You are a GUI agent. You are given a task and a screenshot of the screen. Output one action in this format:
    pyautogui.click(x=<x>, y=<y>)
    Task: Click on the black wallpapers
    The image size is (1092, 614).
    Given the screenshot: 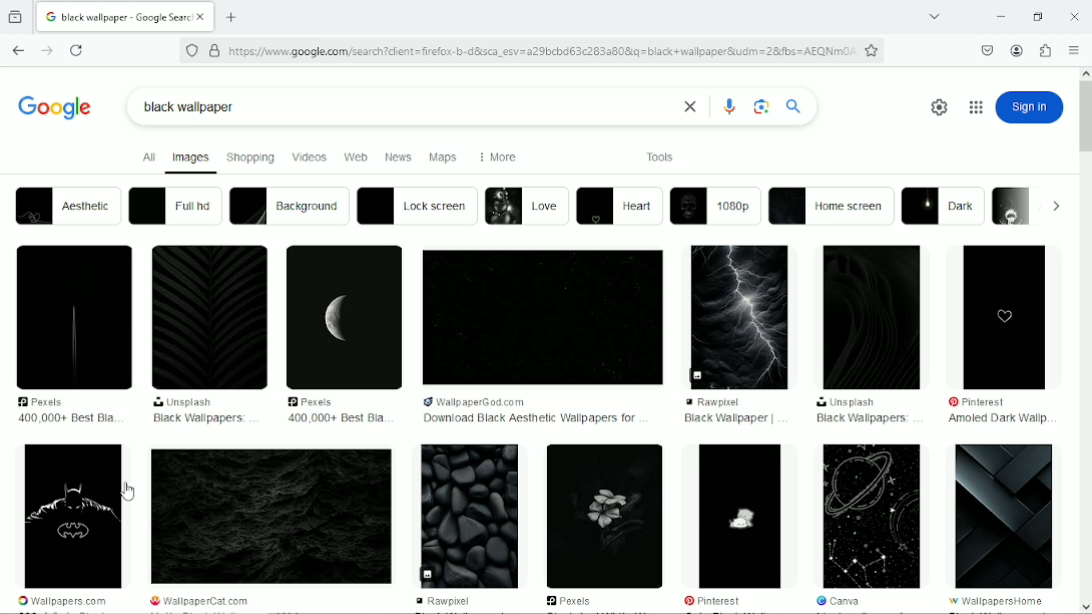 What is the action you would take?
    pyautogui.click(x=862, y=419)
    